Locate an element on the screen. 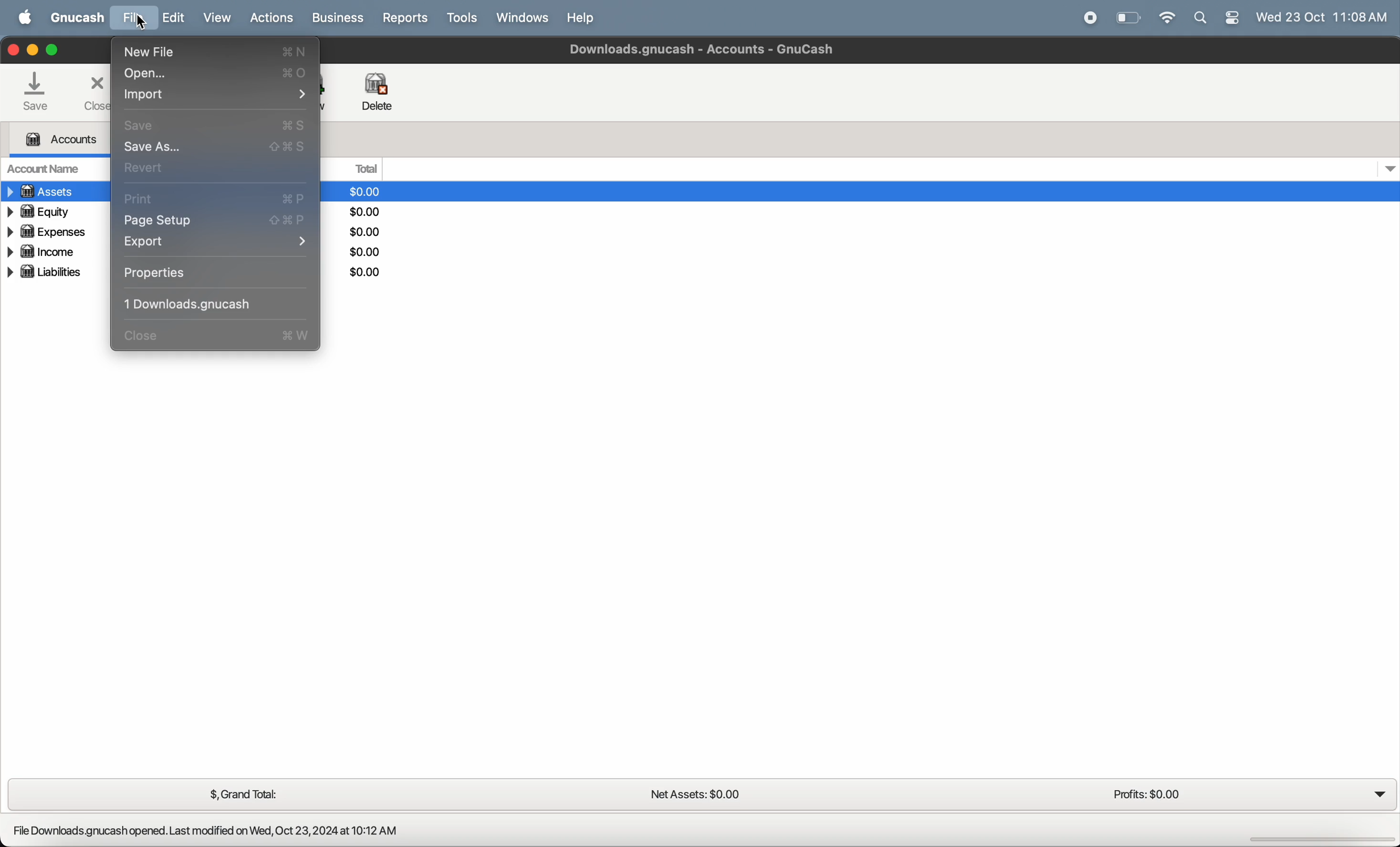  maximize is located at coordinates (51, 48).